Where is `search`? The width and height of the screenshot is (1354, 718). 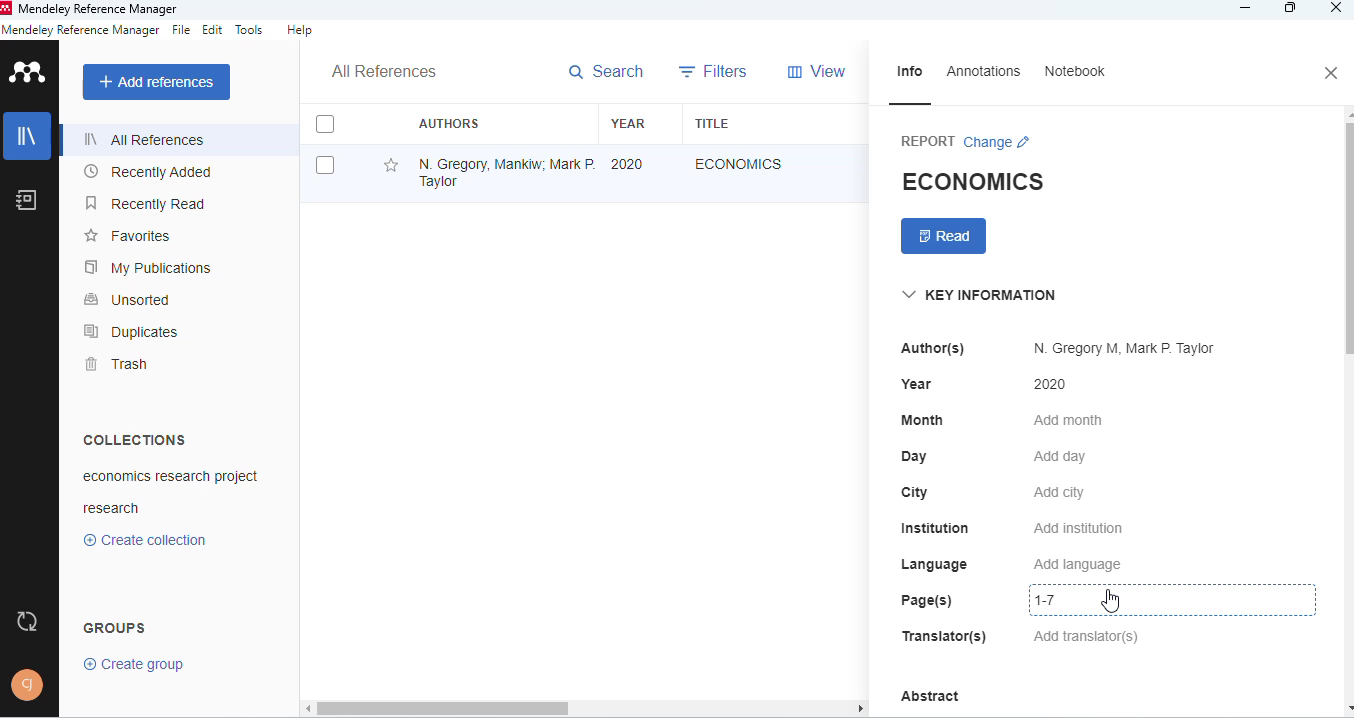 search is located at coordinates (607, 72).